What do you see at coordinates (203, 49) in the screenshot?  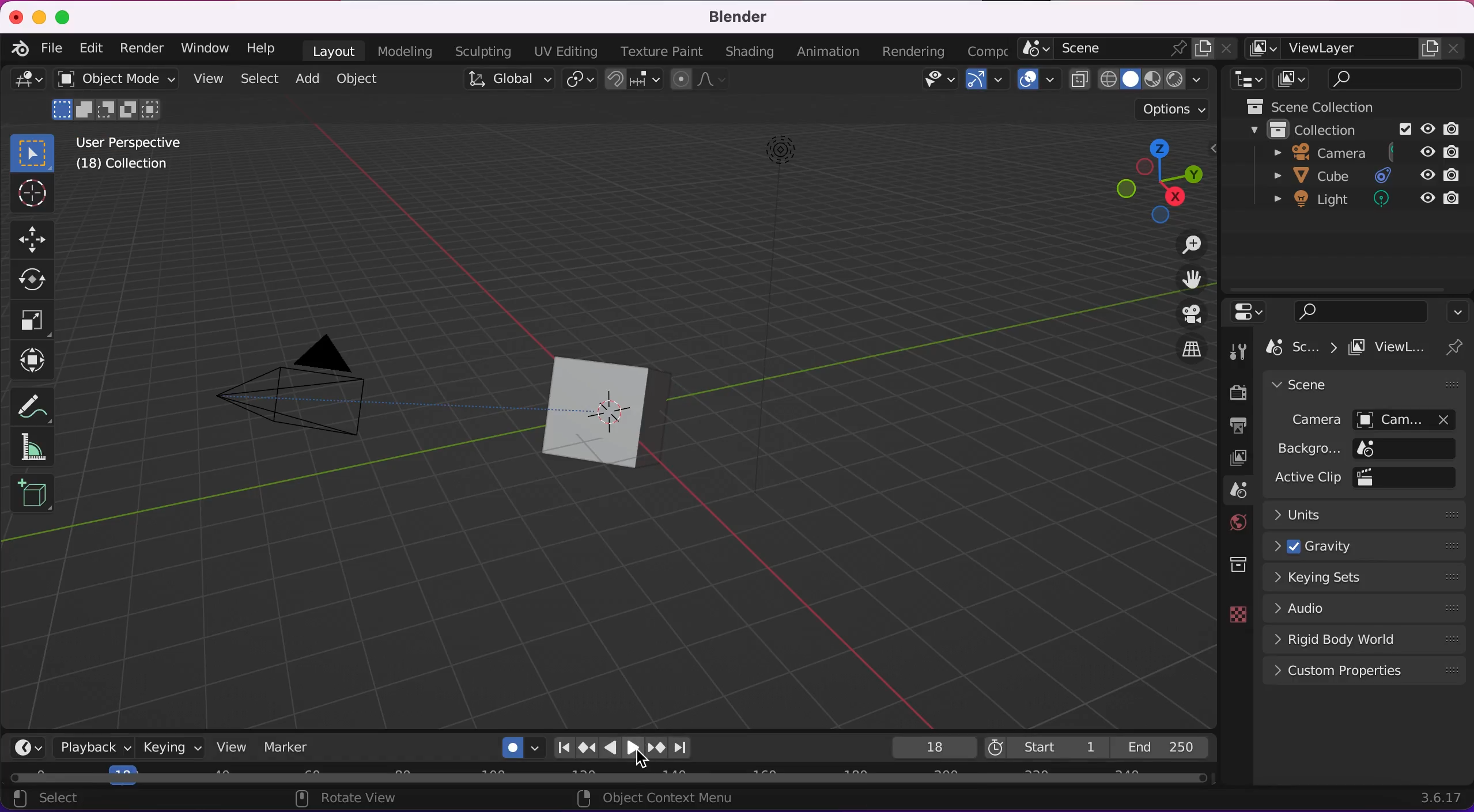 I see `window` at bounding box center [203, 49].